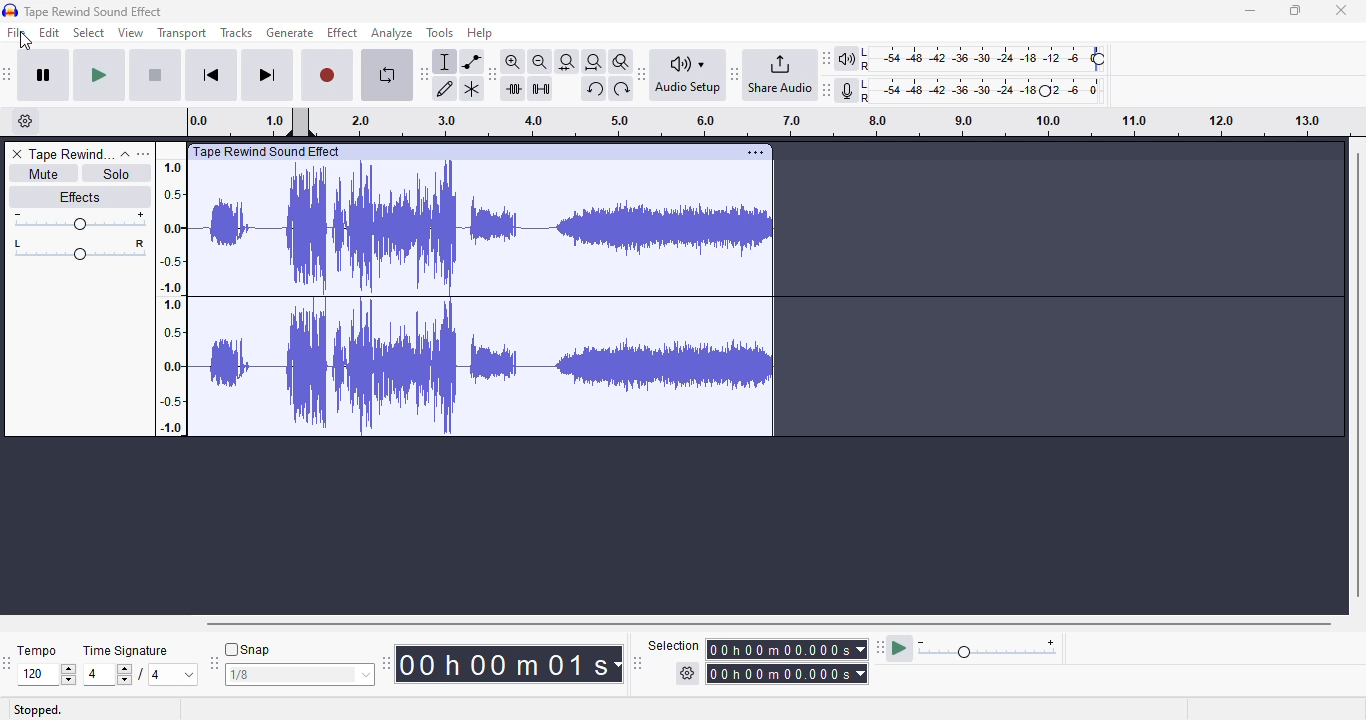 The width and height of the screenshot is (1366, 720). Describe the element at coordinates (328, 77) in the screenshot. I see `record` at that location.